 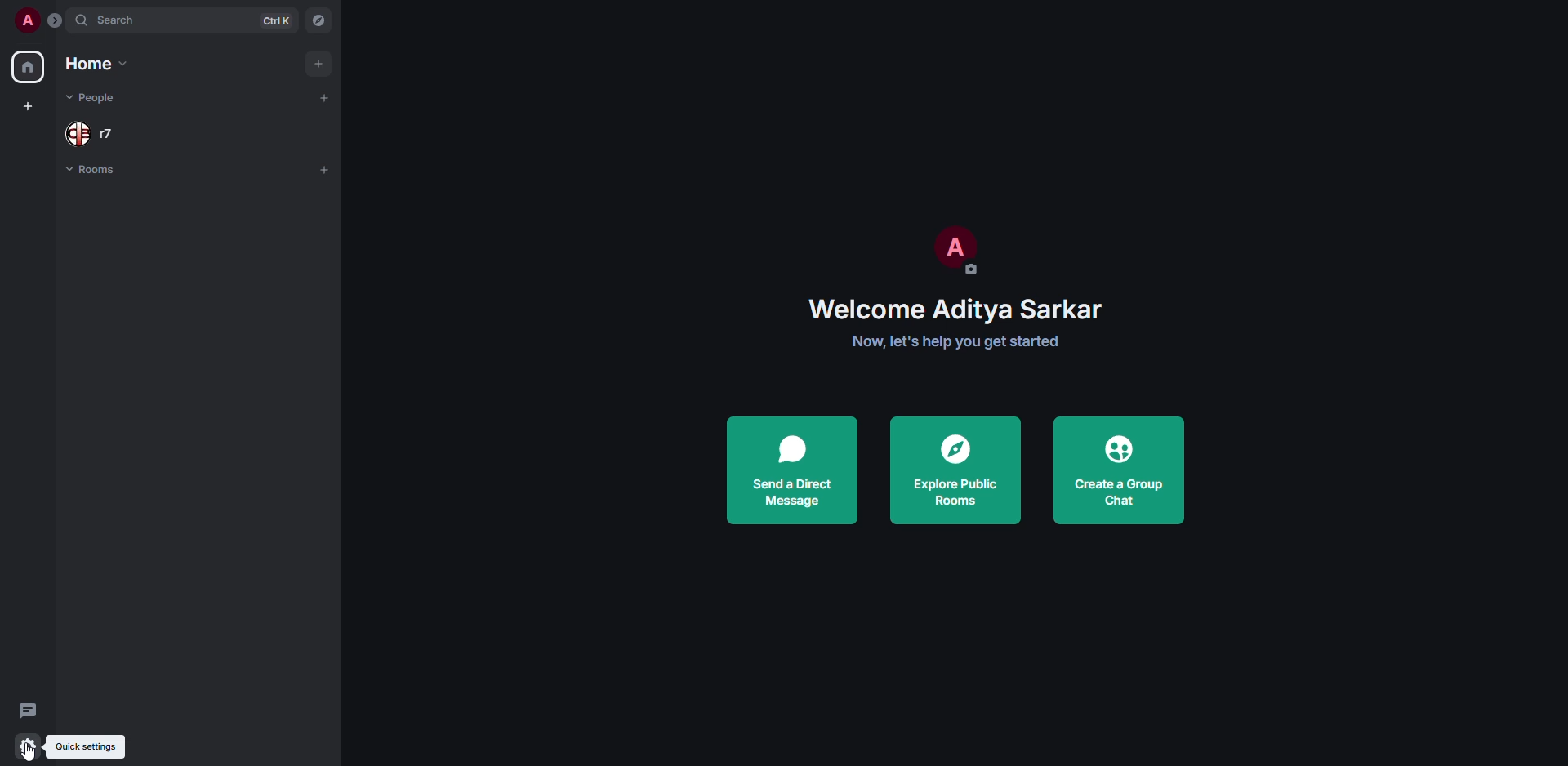 I want to click on quick settings, so click(x=26, y=746).